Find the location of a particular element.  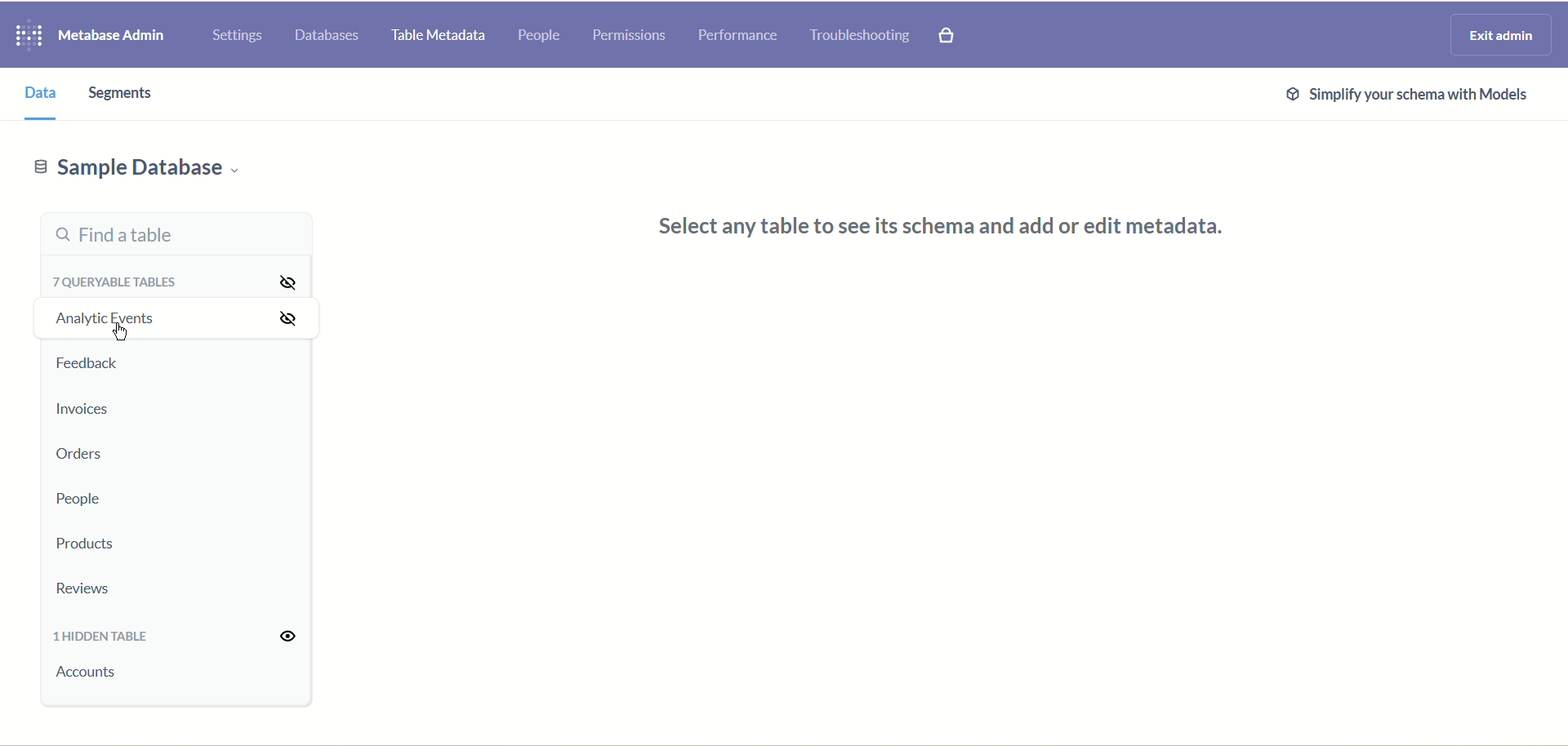

reviews is located at coordinates (87, 589).